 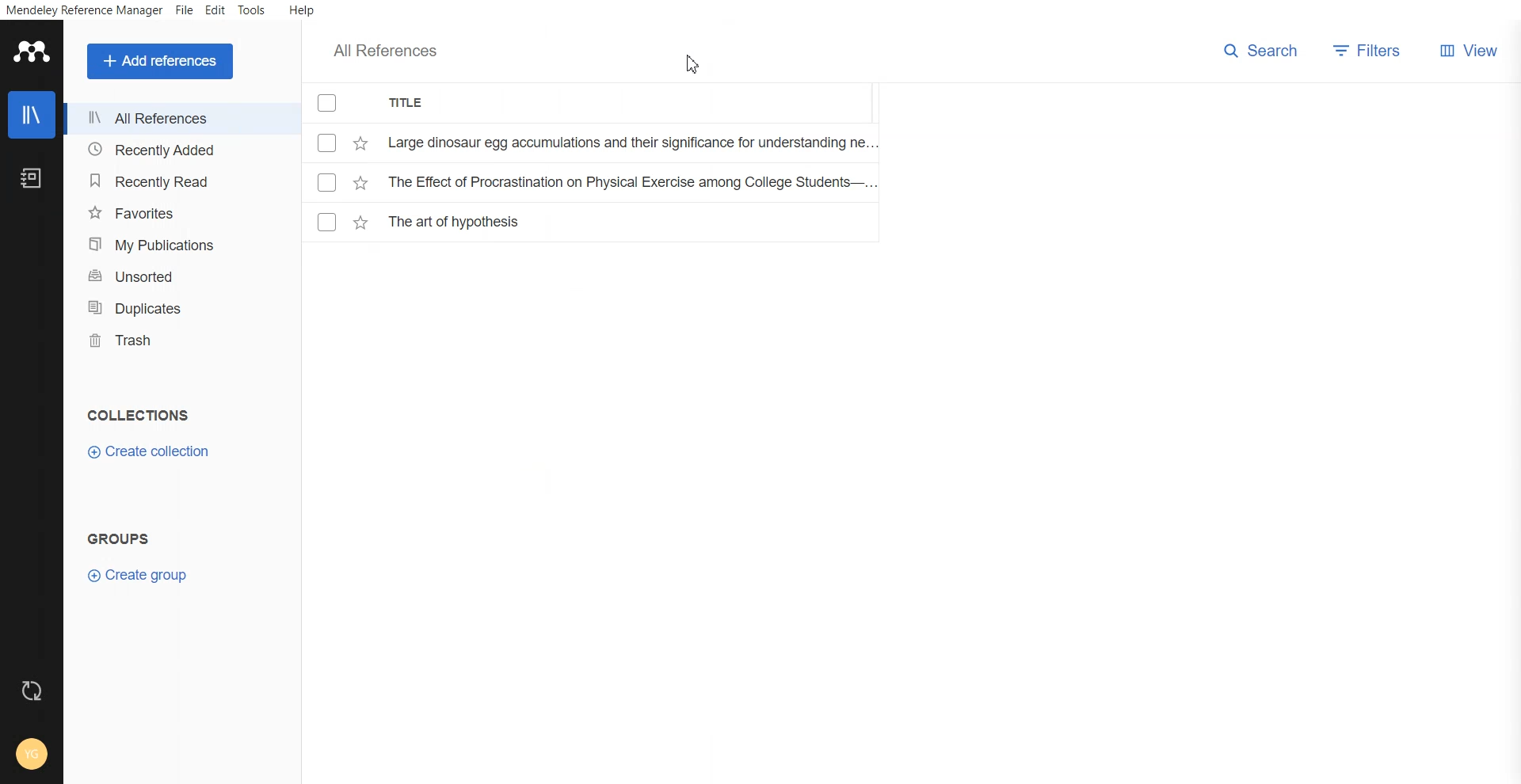 What do you see at coordinates (168, 120) in the screenshot?
I see `All References` at bounding box center [168, 120].